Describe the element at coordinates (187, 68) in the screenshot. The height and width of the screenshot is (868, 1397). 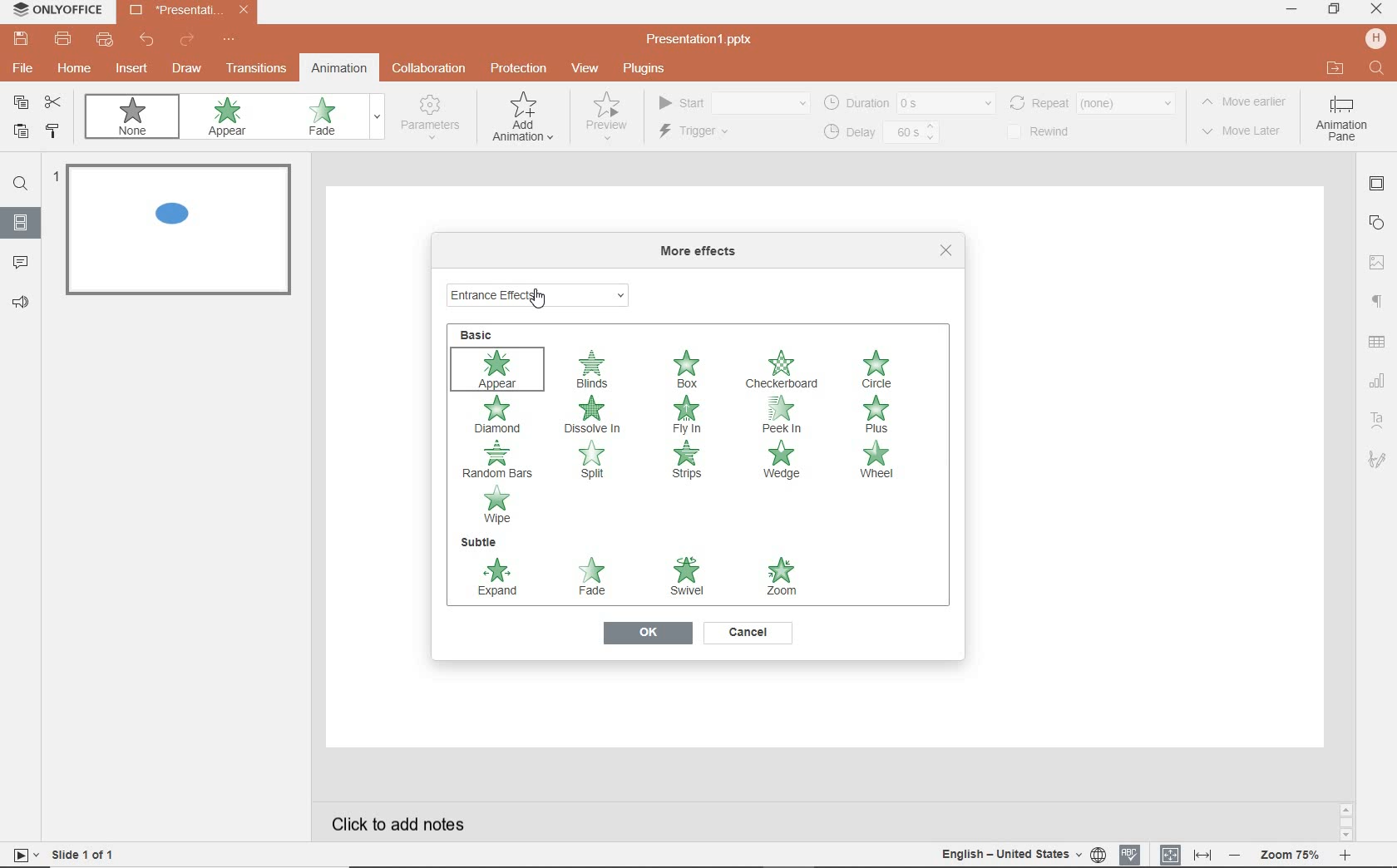
I see `draw` at that location.